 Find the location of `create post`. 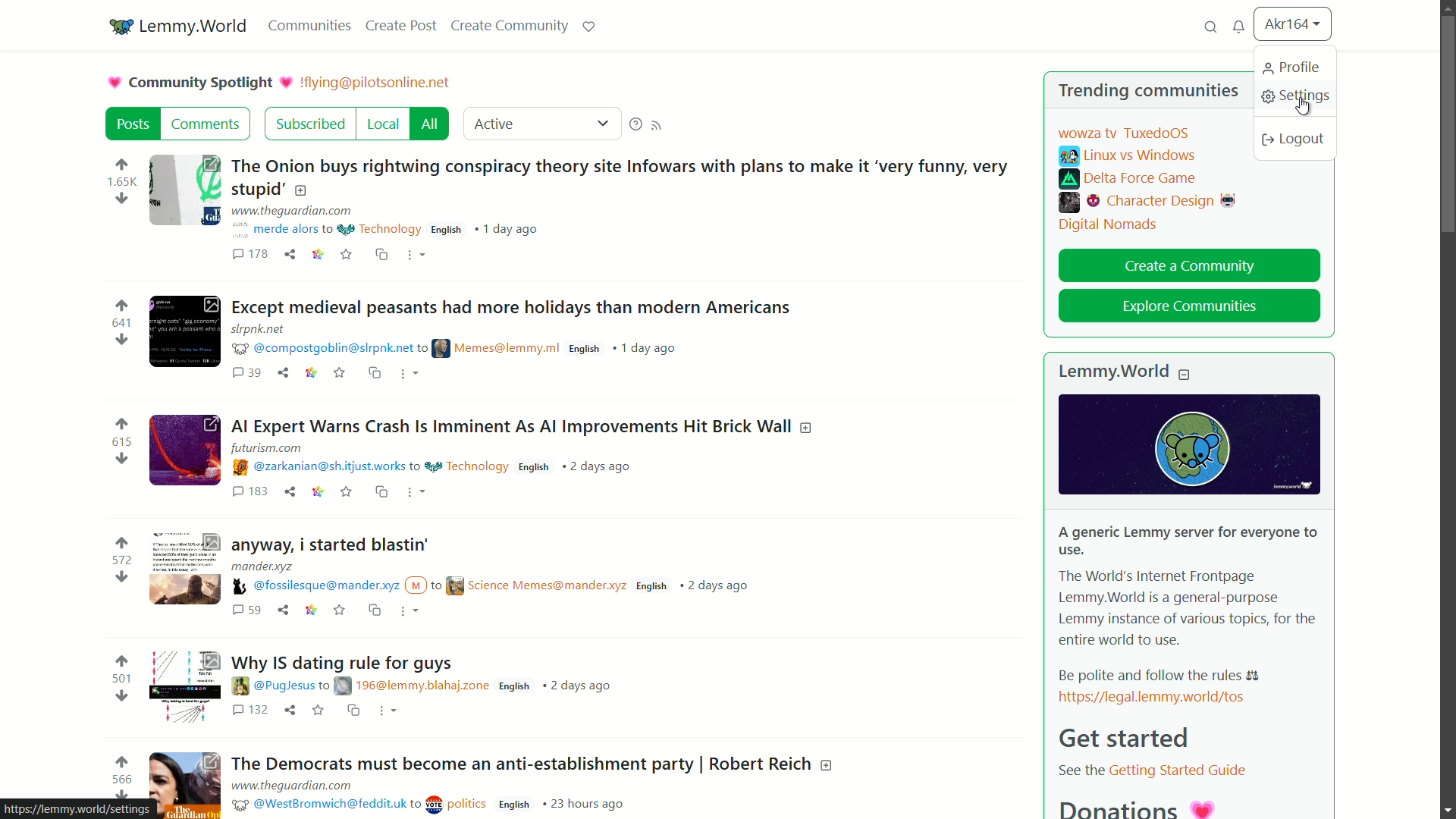

create post is located at coordinates (400, 25).